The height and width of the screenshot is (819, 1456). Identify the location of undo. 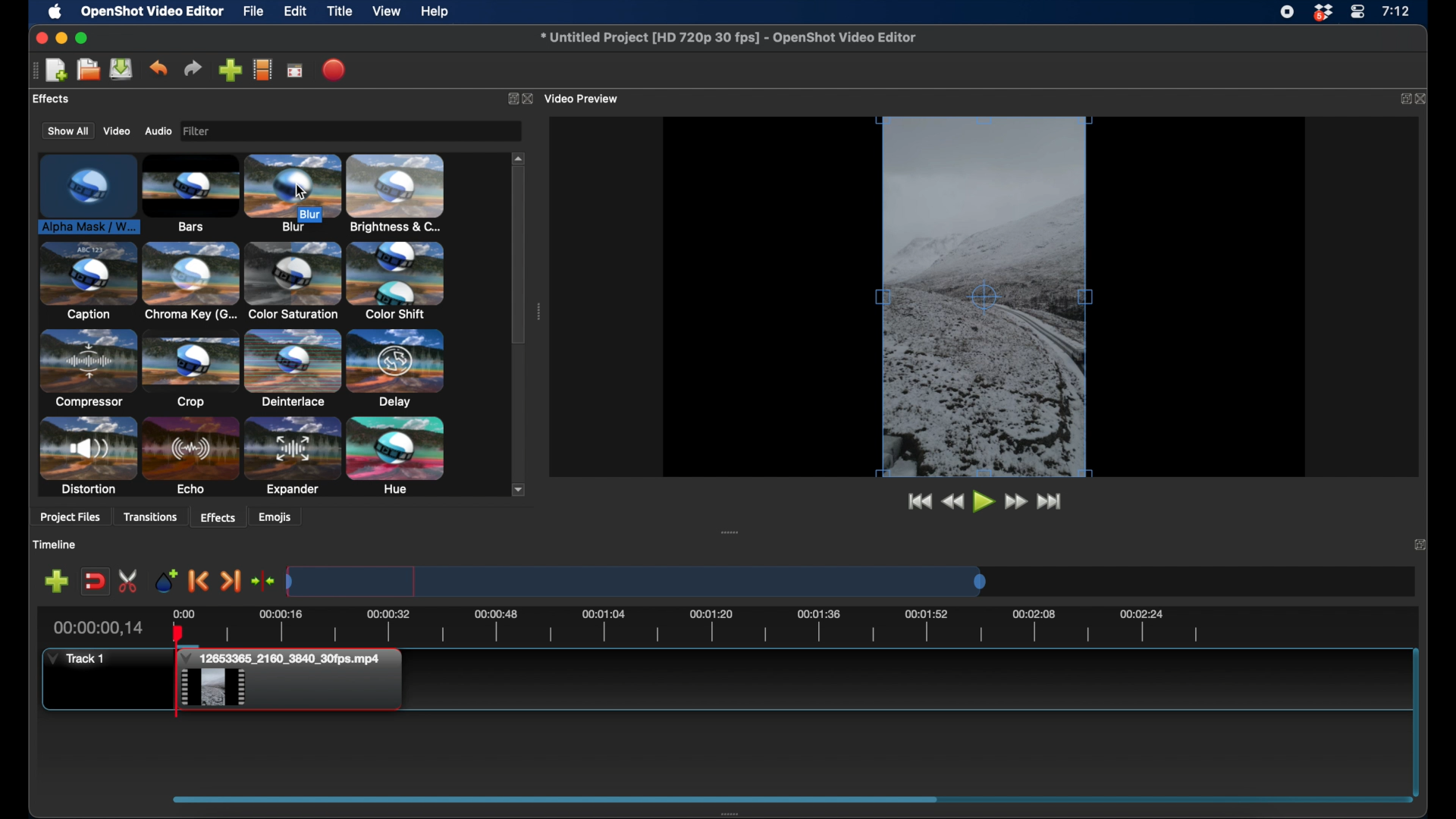
(158, 68).